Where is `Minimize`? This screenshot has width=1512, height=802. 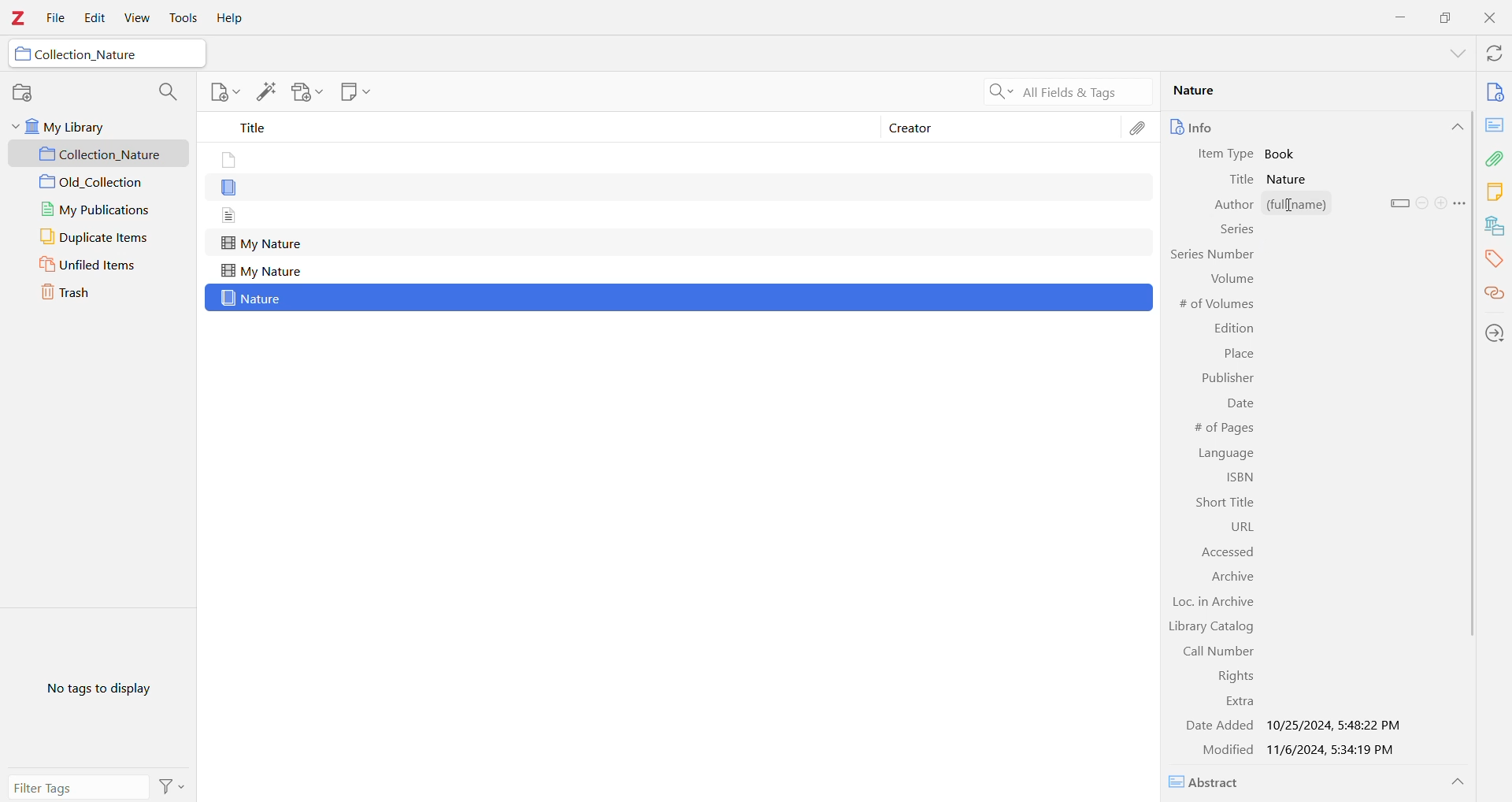
Minimize is located at coordinates (1398, 17).